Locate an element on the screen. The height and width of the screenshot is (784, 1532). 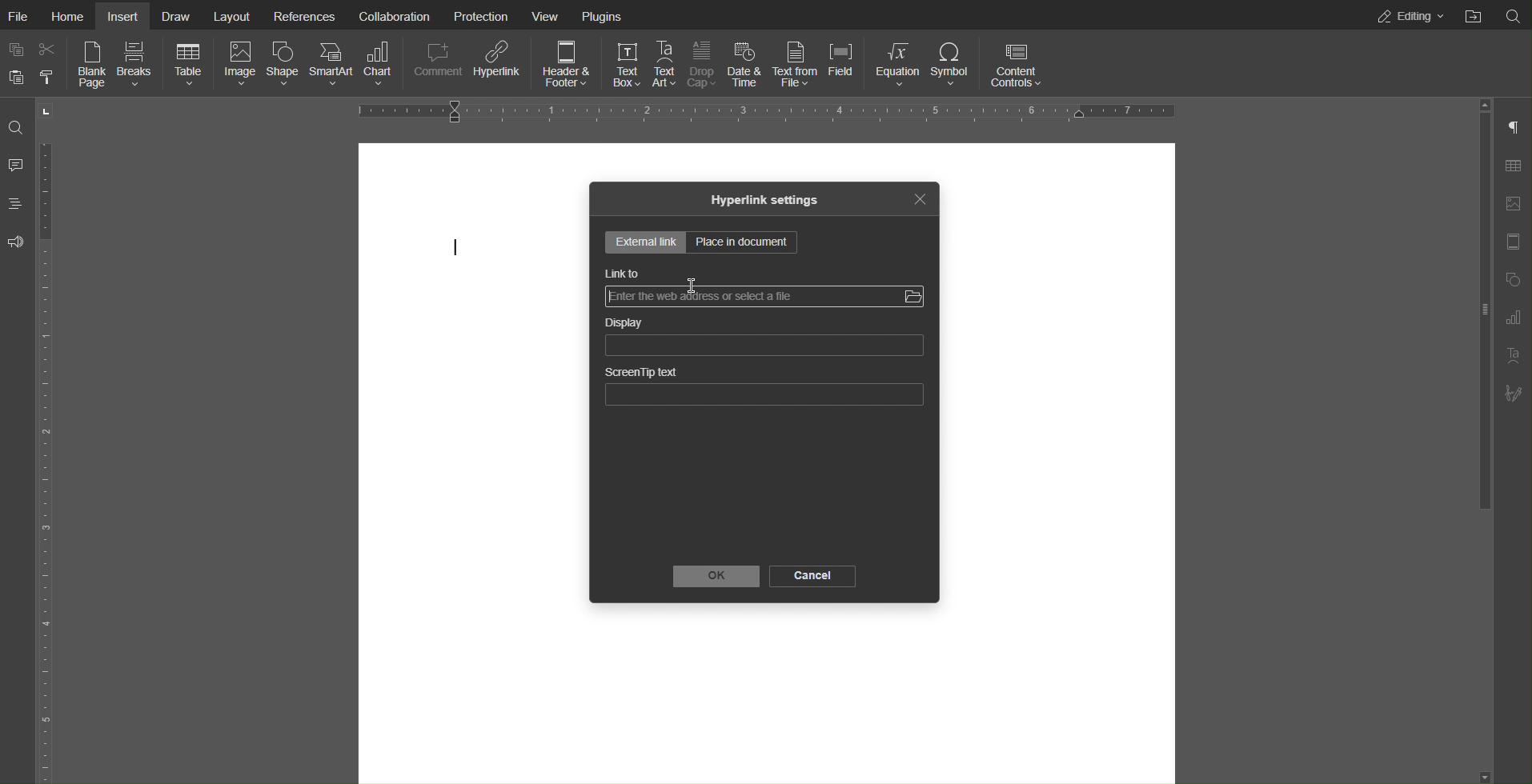
Editing is located at coordinates (1409, 16).